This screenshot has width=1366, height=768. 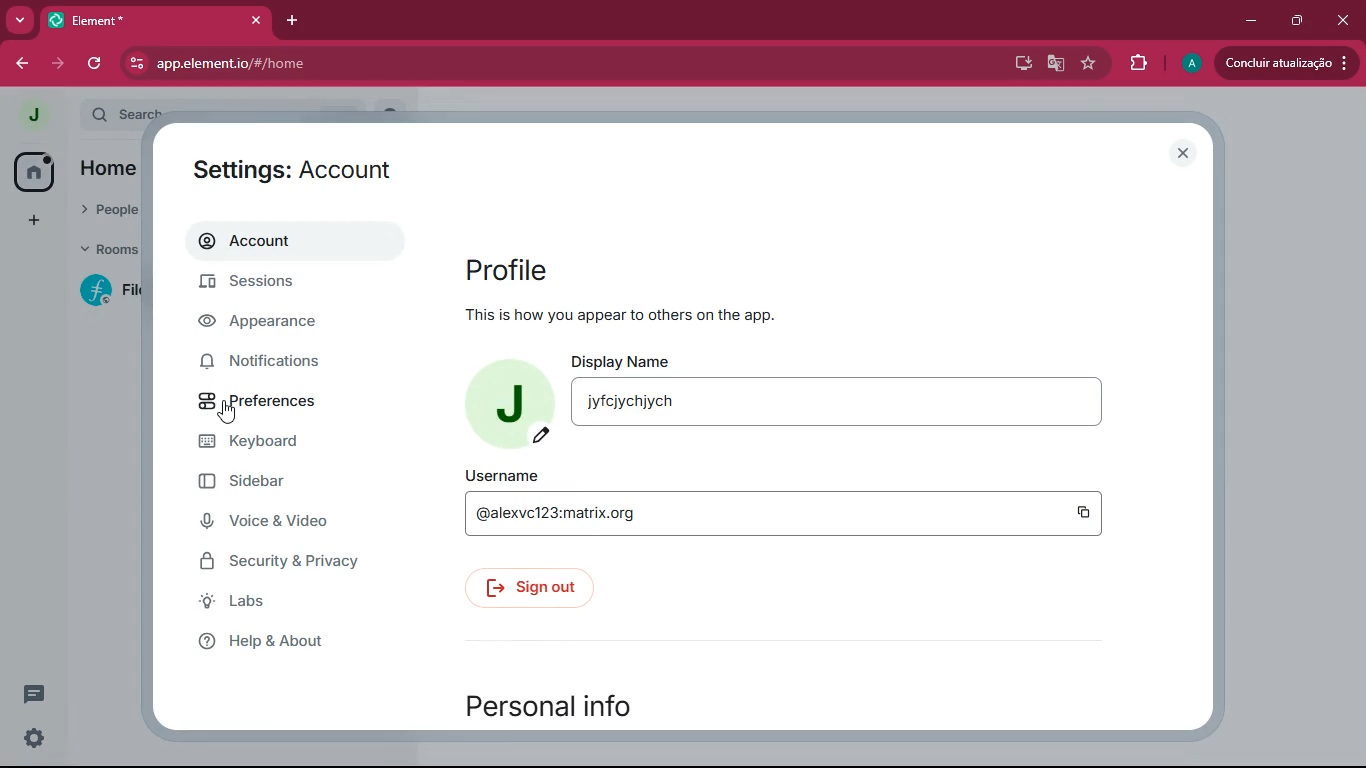 I want to click on display name jyfcjychjych, so click(x=849, y=393).